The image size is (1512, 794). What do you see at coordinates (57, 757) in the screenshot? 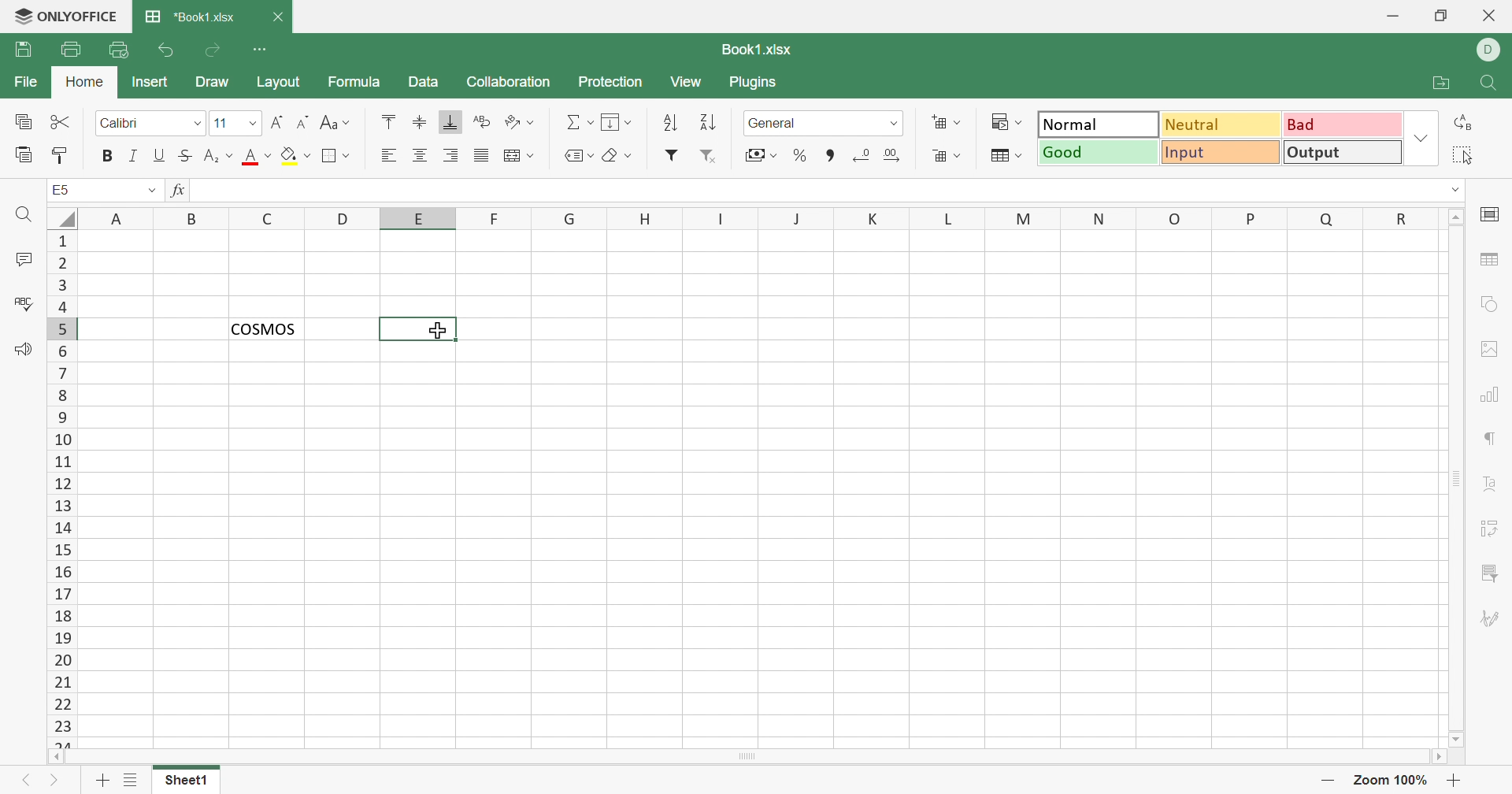
I see `Scroll left` at bounding box center [57, 757].